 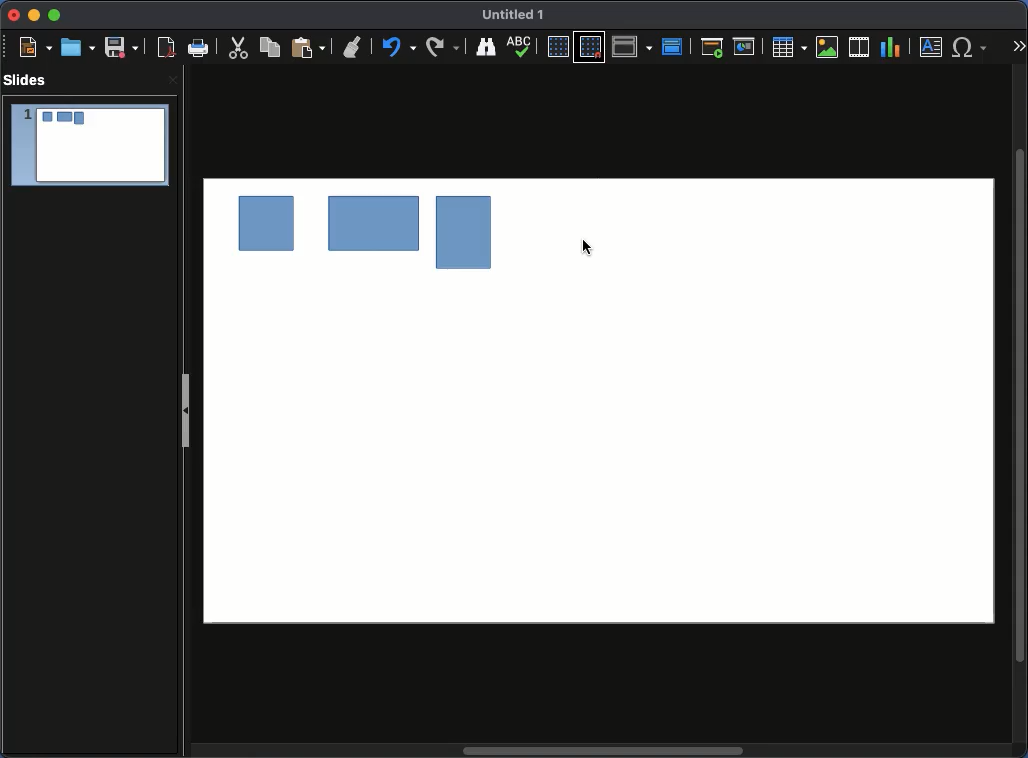 I want to click on Finding, so click(x=443, y=47).